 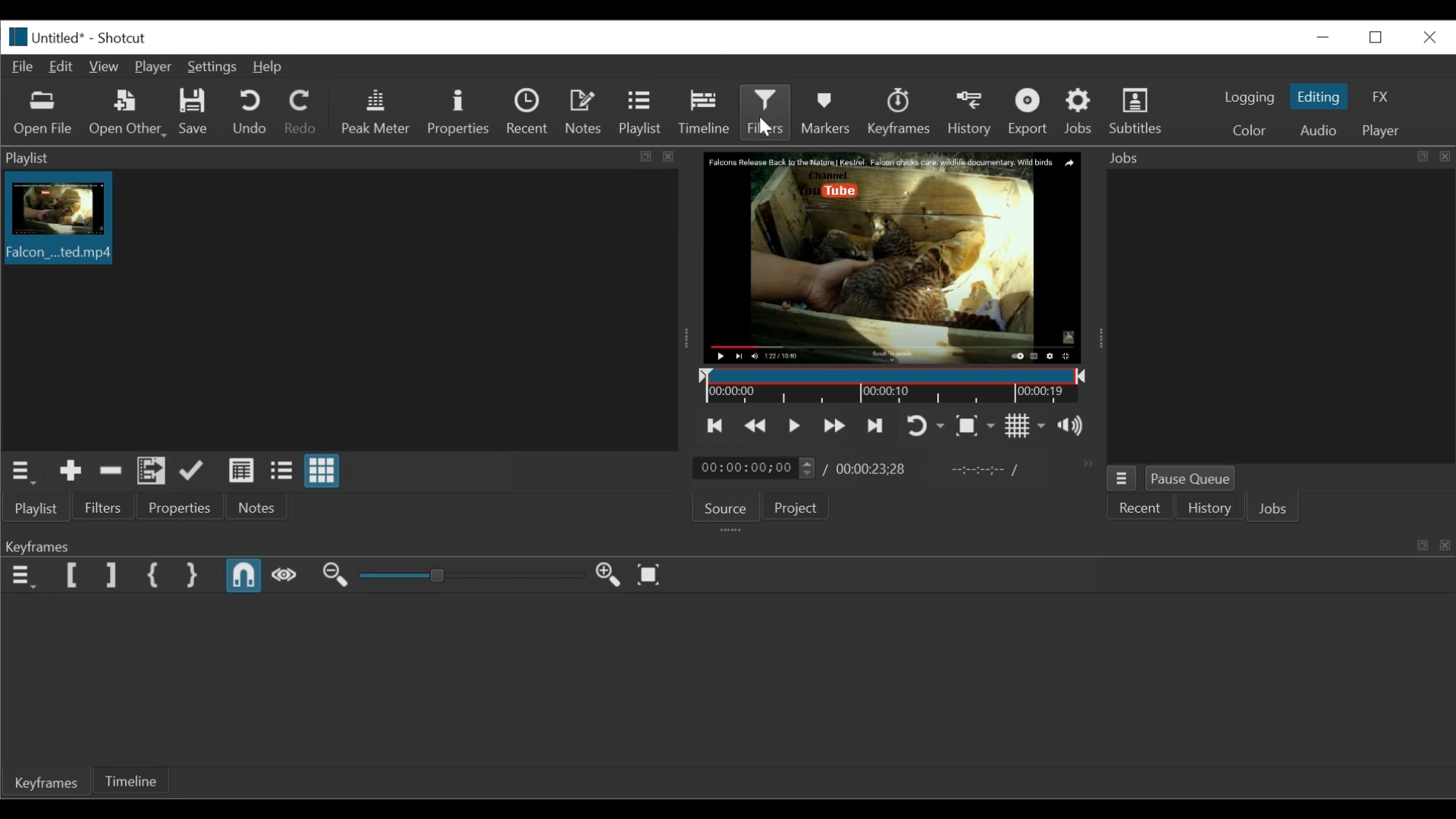 I want to click on Jobs Panel, so click(x=1276, y=158).